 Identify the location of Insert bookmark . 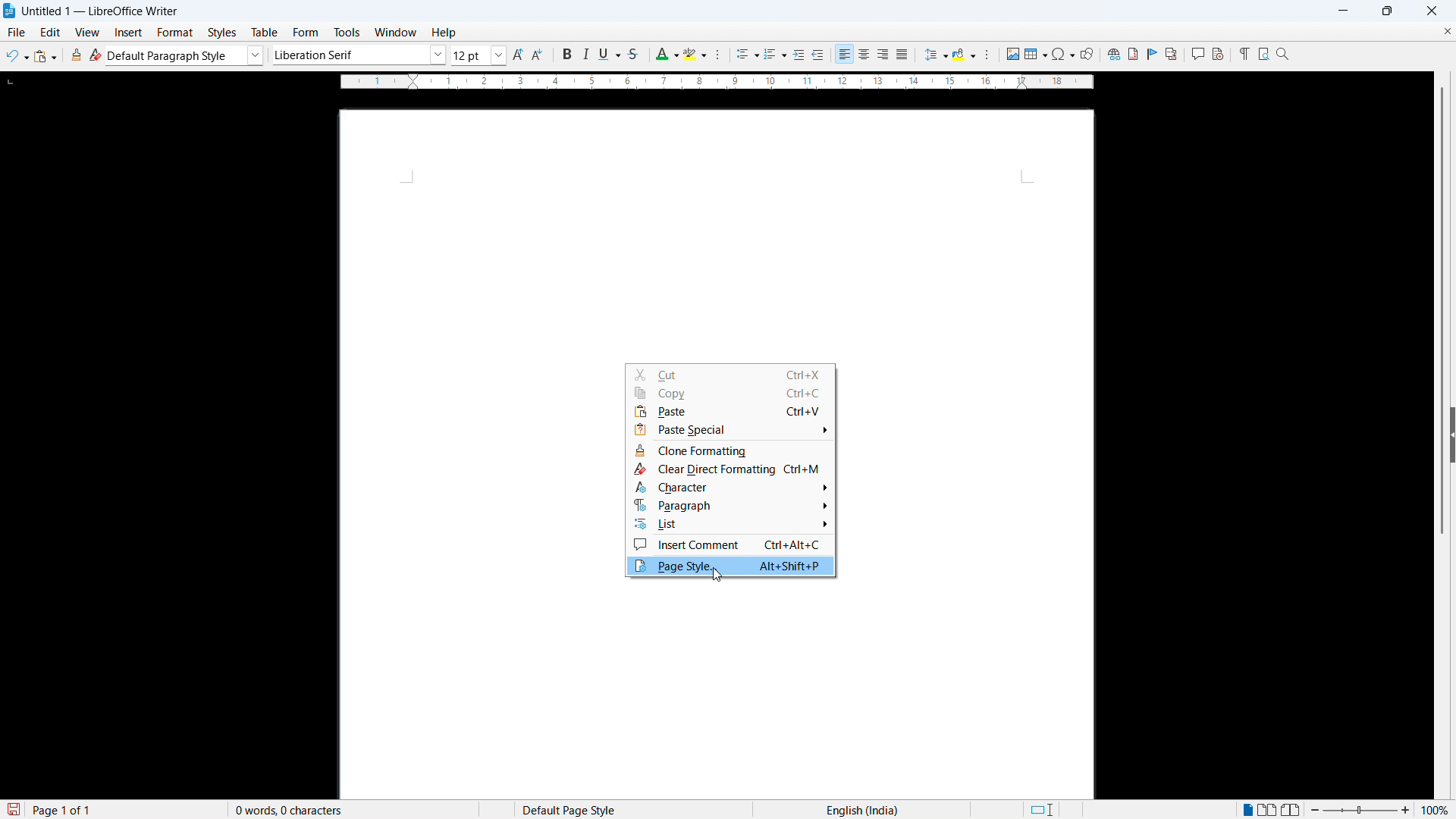
(1153, 53).